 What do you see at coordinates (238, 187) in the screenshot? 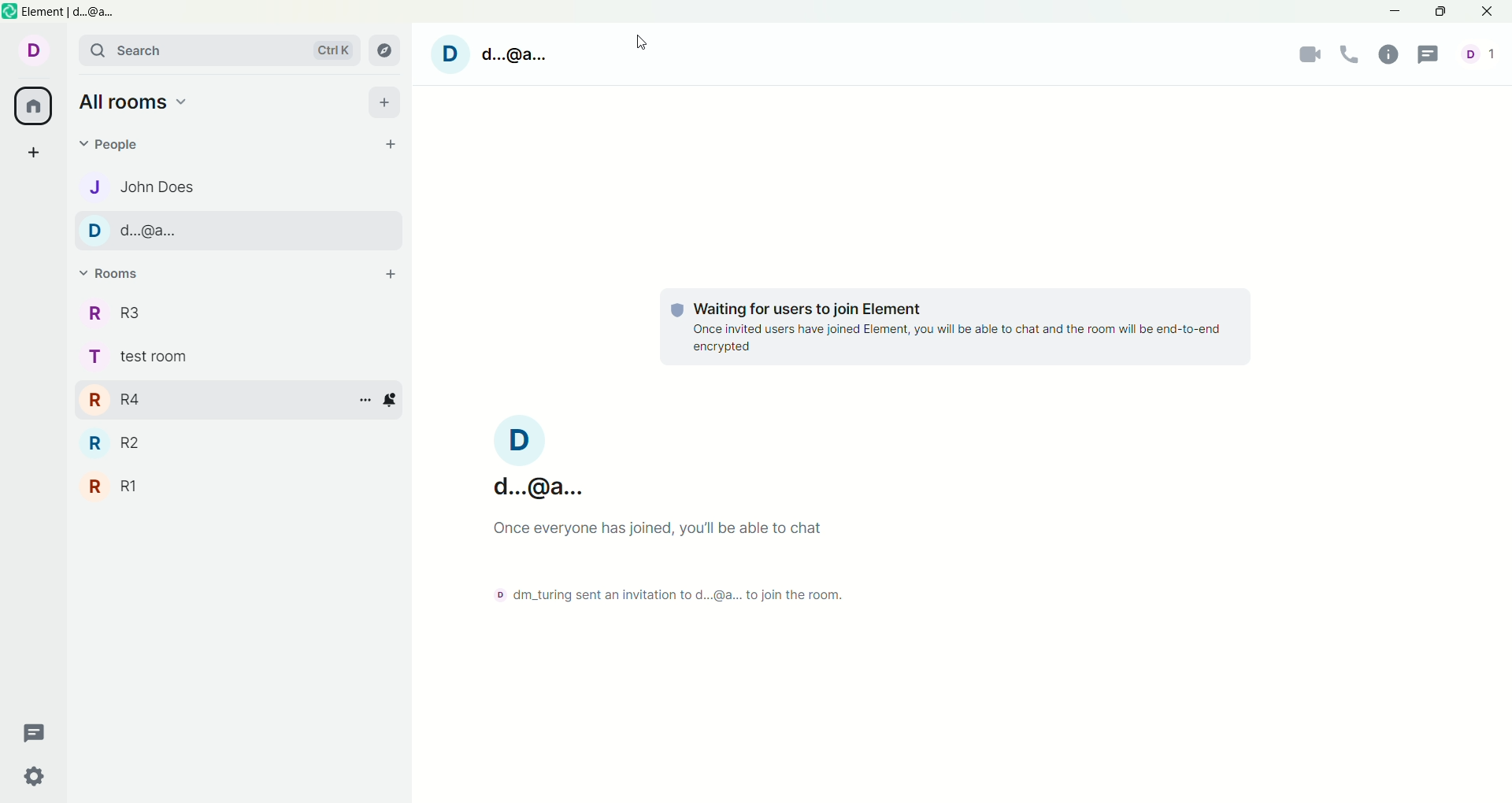
I see `John Does, chat 1` at bounding box center [238, 187].